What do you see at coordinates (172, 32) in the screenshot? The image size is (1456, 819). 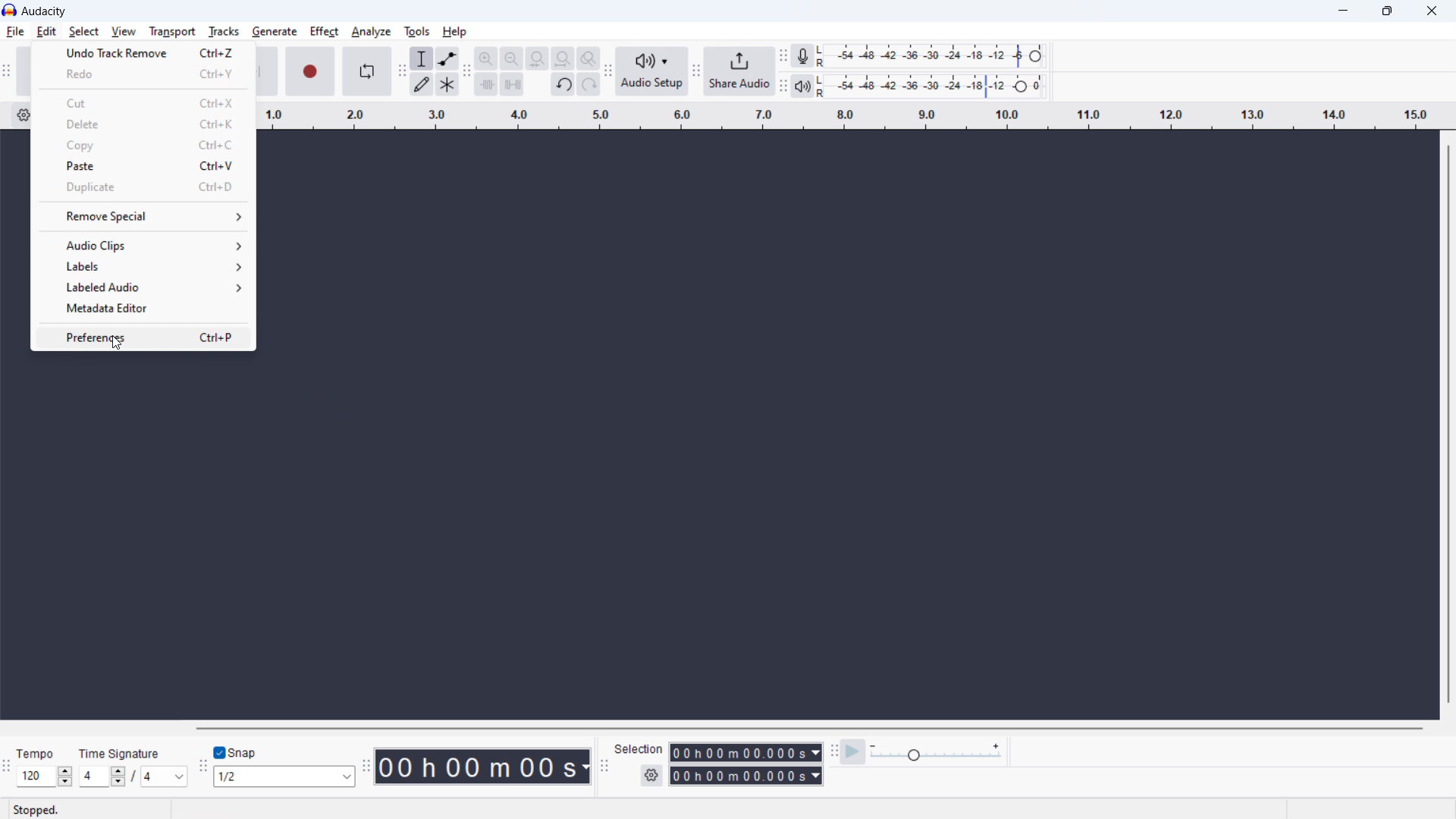 I see `transport` at bounding box center [172, 32].